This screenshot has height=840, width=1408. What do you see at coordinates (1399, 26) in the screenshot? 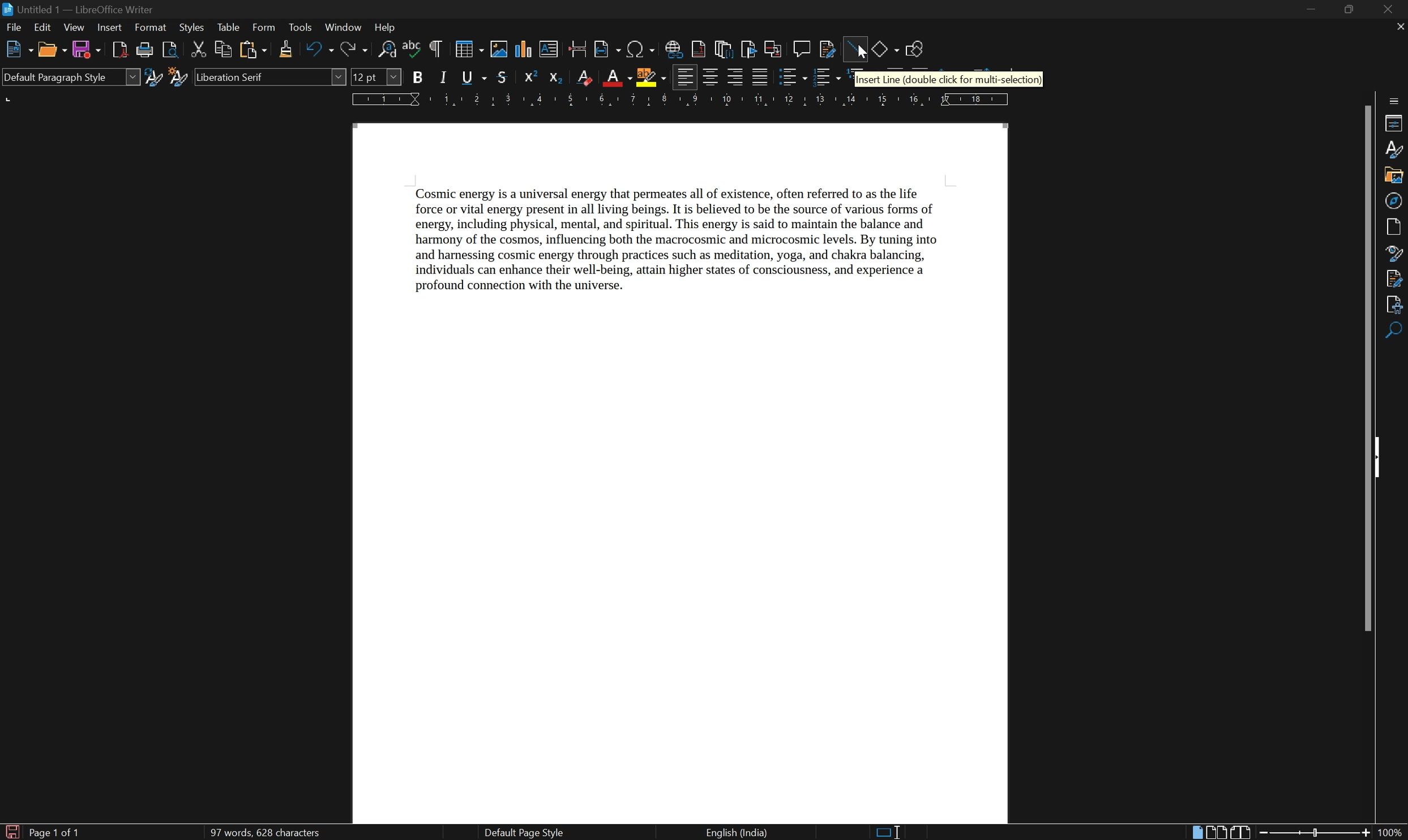
I see `close` at bounding box center [1399, 26].